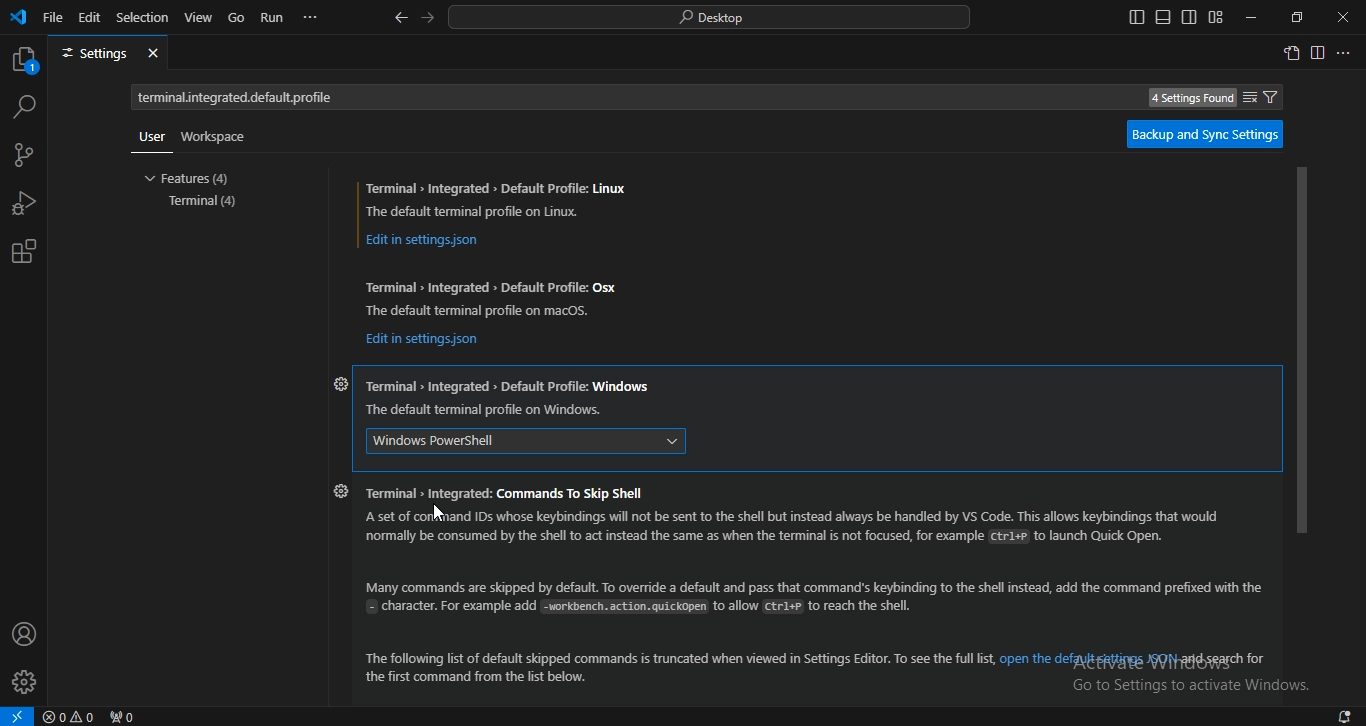 This screenshot has height=726, width=1366. I want to click on settings, so click(341, 492).